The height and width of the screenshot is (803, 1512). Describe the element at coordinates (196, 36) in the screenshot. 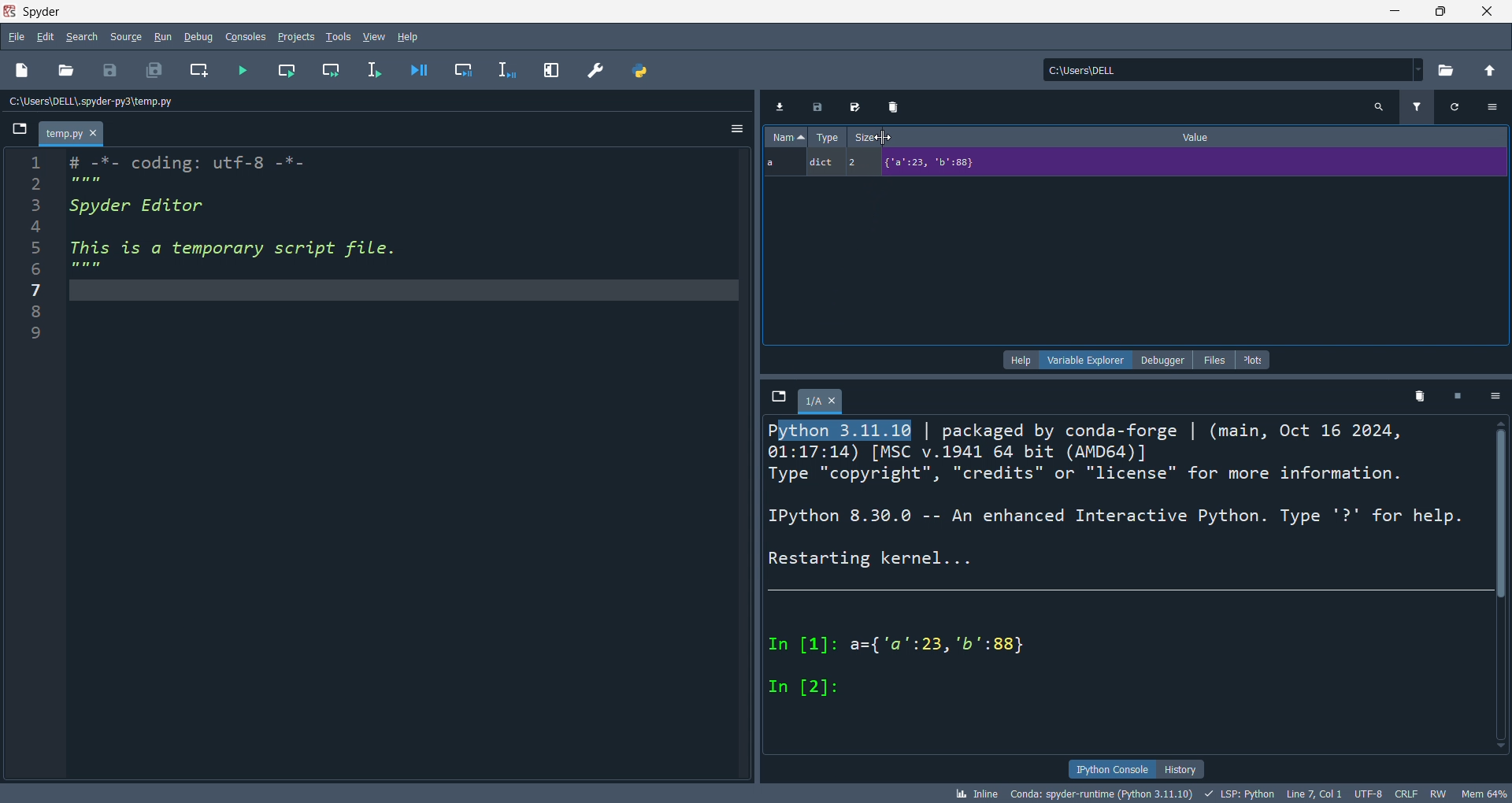

I see `debug` at that location.